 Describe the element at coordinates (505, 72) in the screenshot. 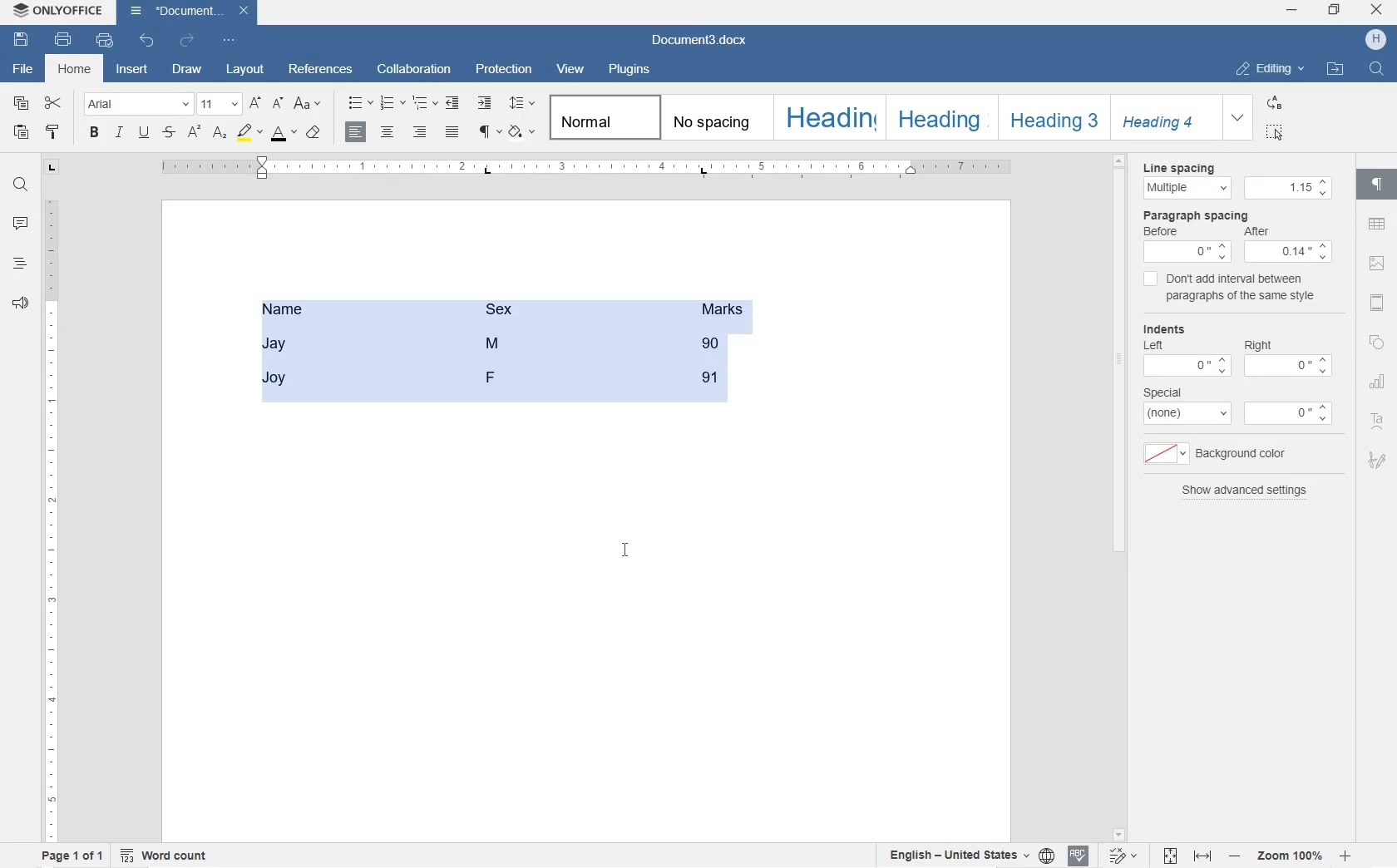

I see `PROTECTION` at that location.